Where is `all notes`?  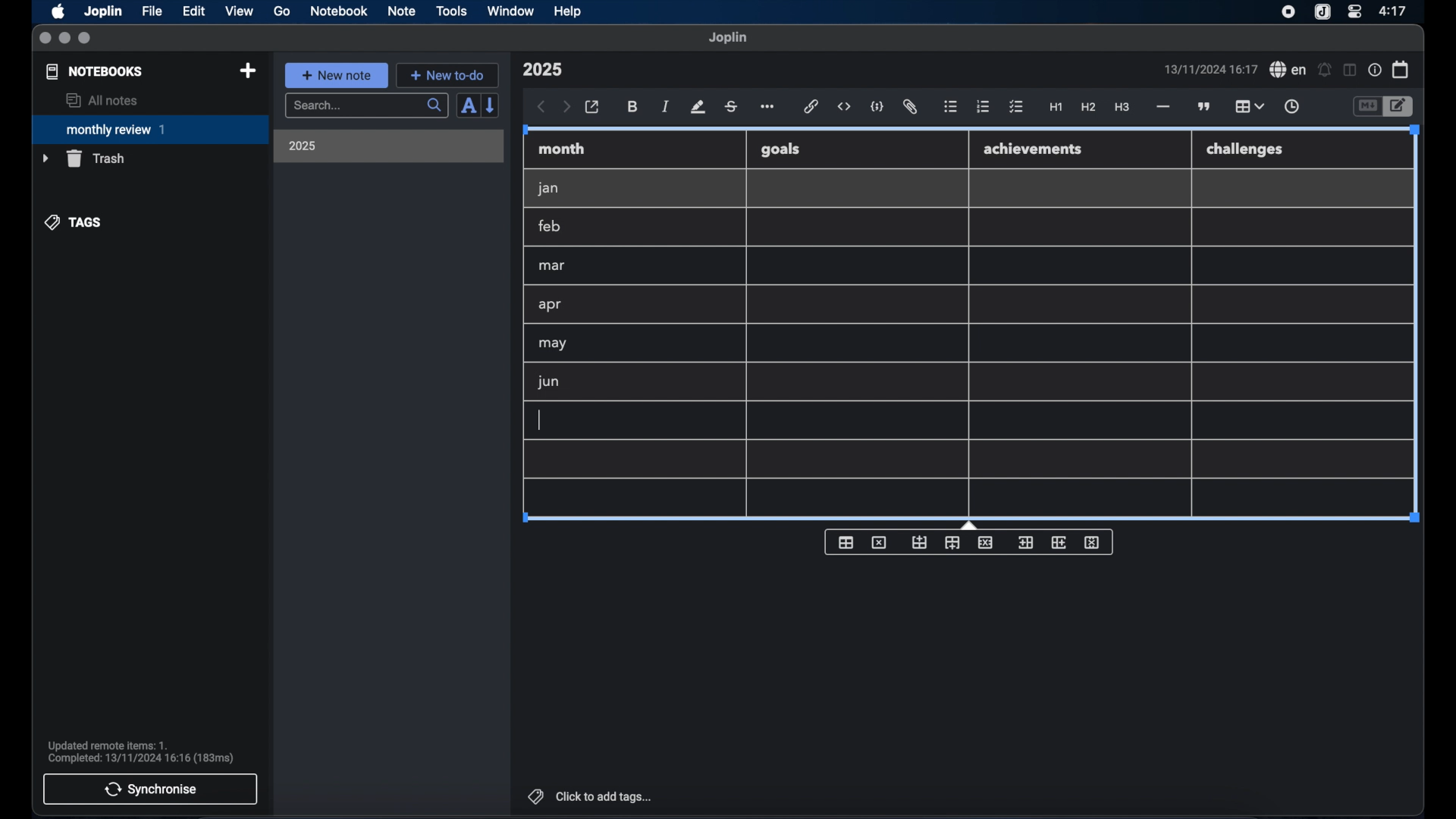
all notes is located at coordinates (102, 100).